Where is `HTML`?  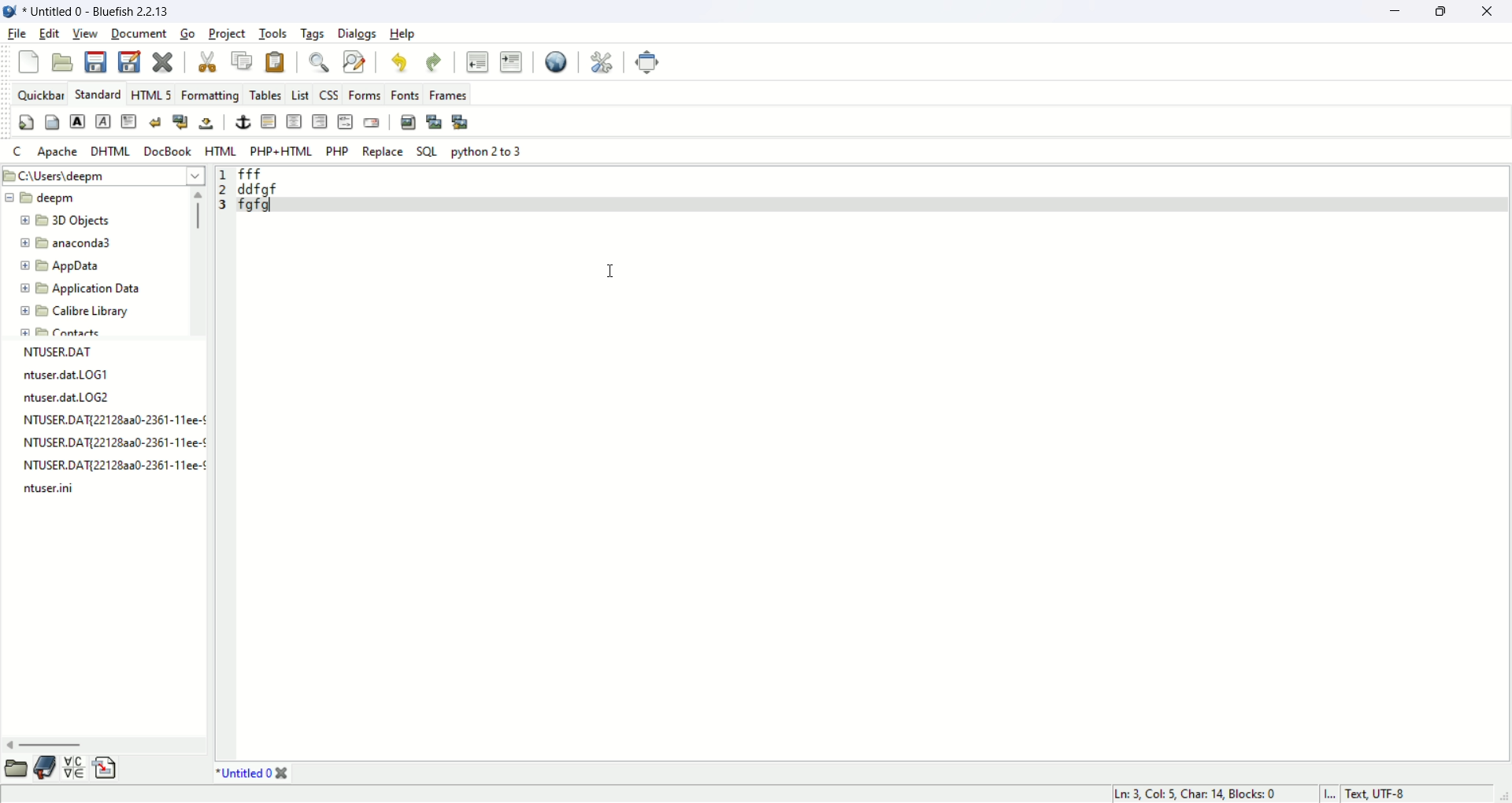 HTML is located at coordinates (220, 150).